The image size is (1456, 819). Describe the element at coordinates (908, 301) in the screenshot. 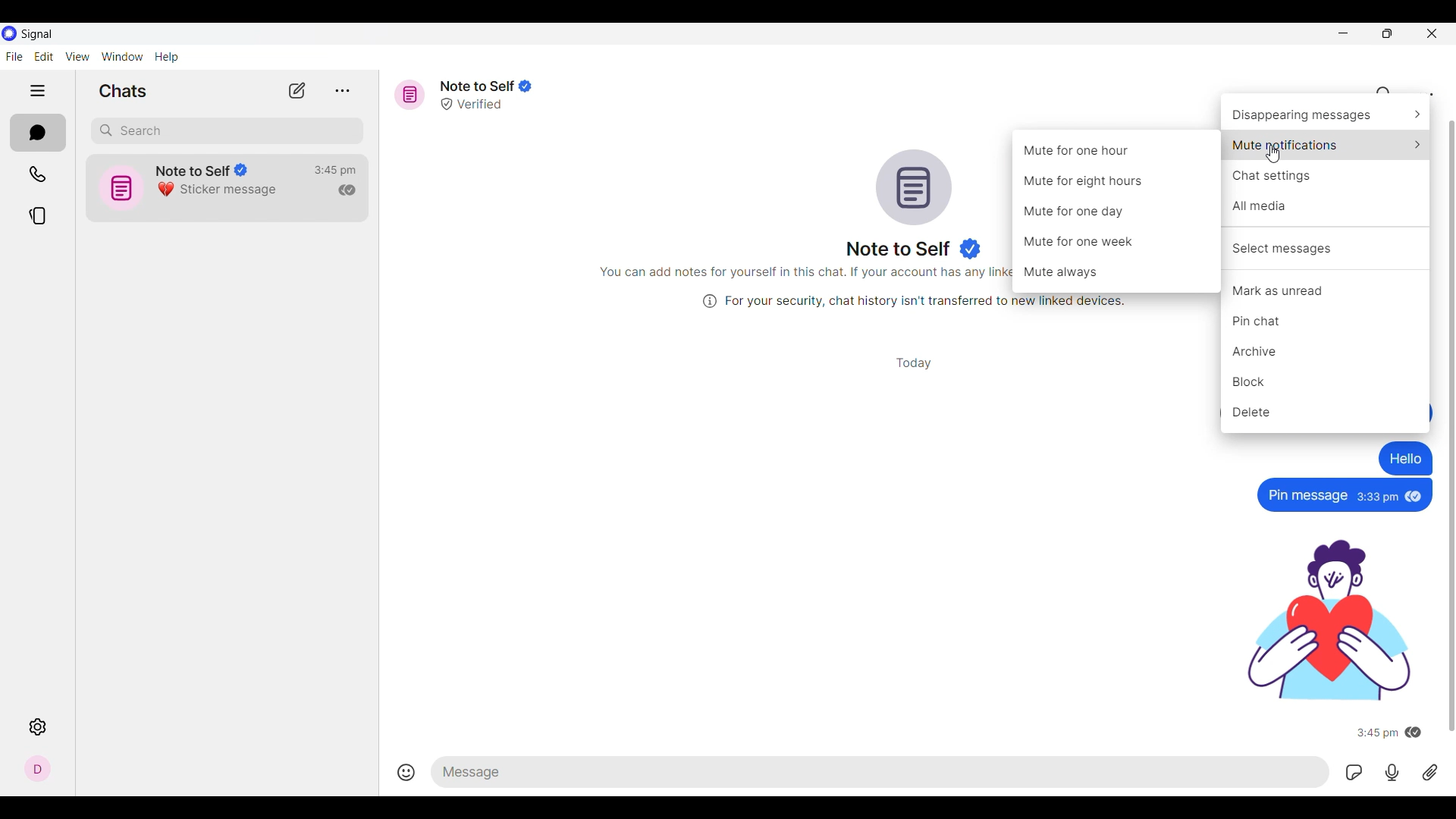

I see `(i) For your security, chat history isn't transferred to new linked devices.` at that location.